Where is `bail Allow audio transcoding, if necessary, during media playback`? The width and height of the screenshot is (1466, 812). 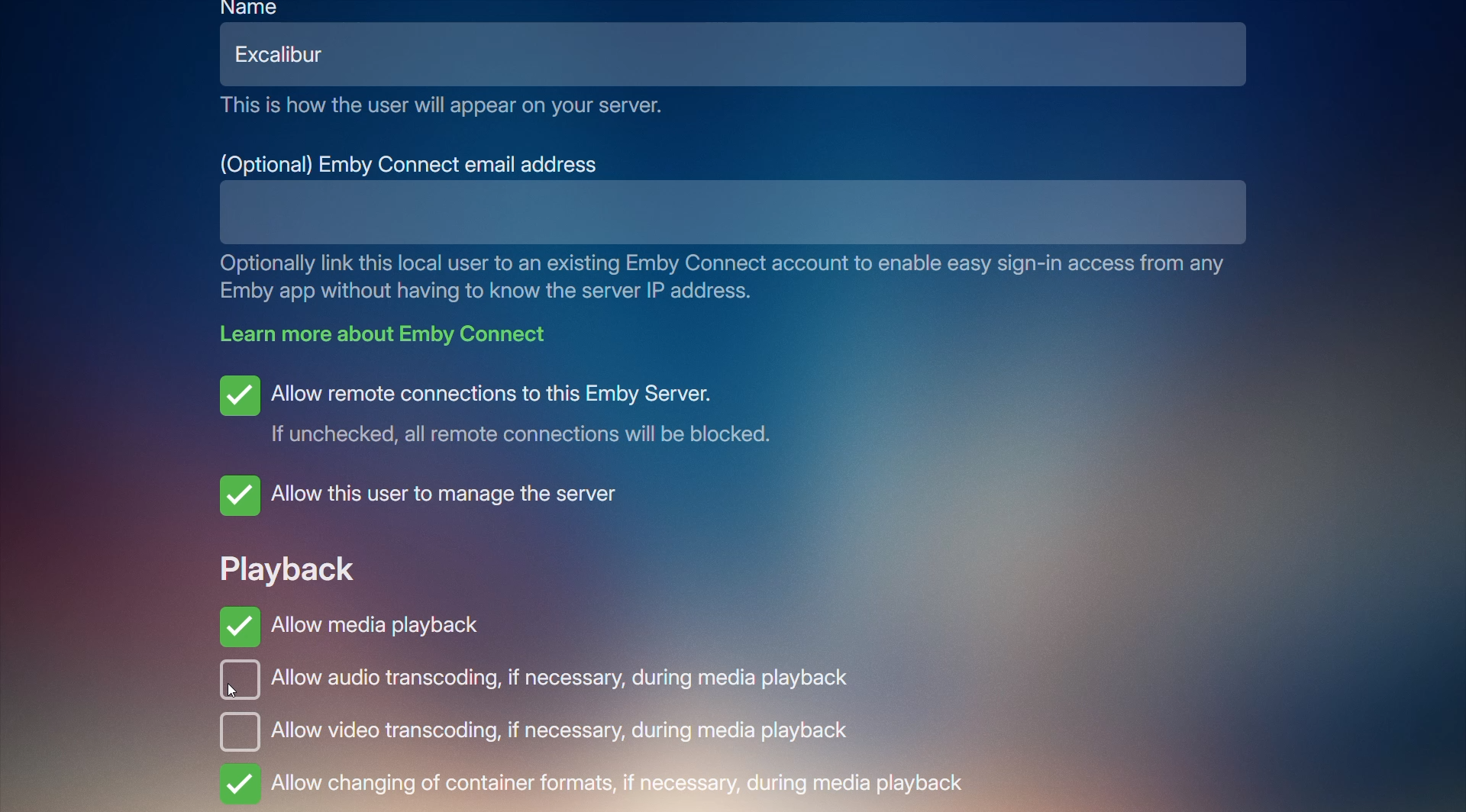
bail Allow audio transcoding, if necessary, during media playback is located at coordinates (541, 683).